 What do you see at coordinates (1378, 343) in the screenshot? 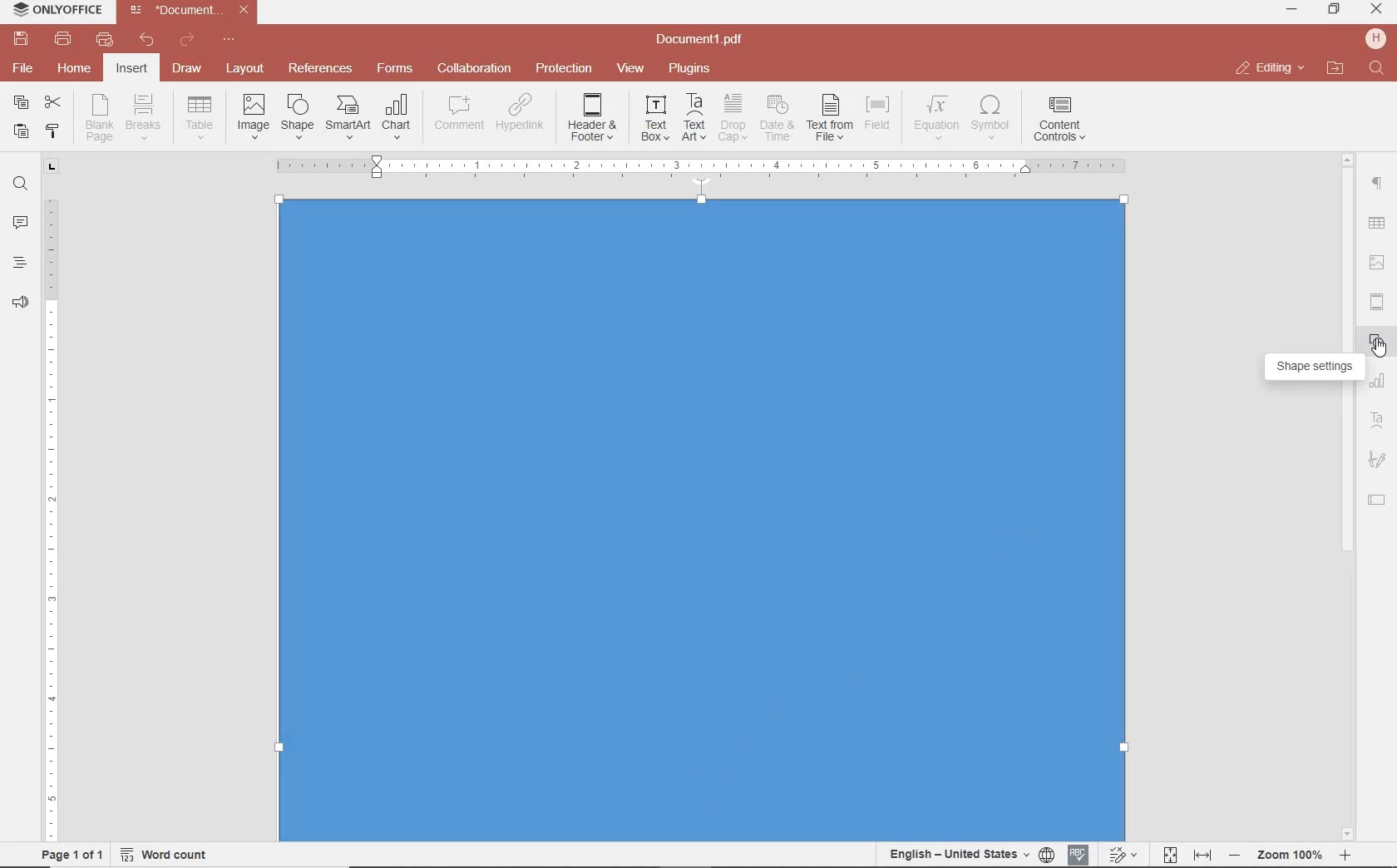
I see `SHAPES` at bounding box center [1378, 343].